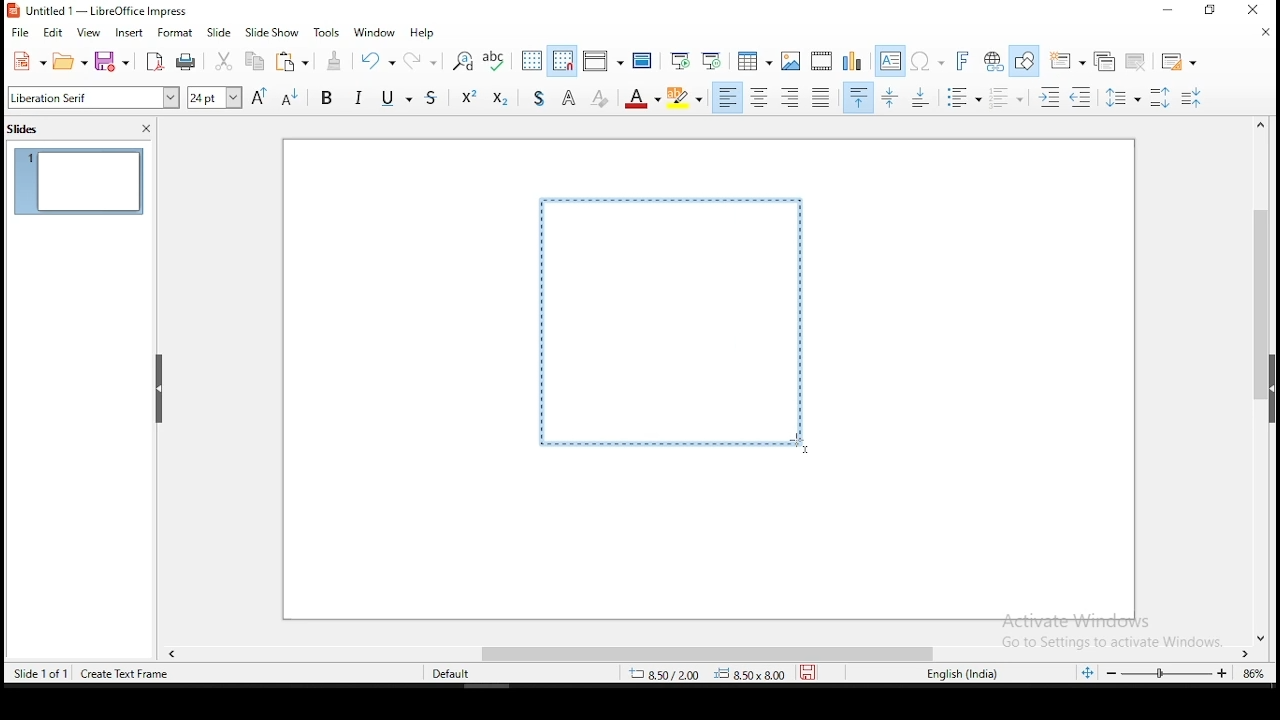 Image resolution: width=1280 pixels, height=720 pixels. What do you see at coordinates (672, 323) in the screenshot?
I see `active text box` at bounding box center [672, 323].